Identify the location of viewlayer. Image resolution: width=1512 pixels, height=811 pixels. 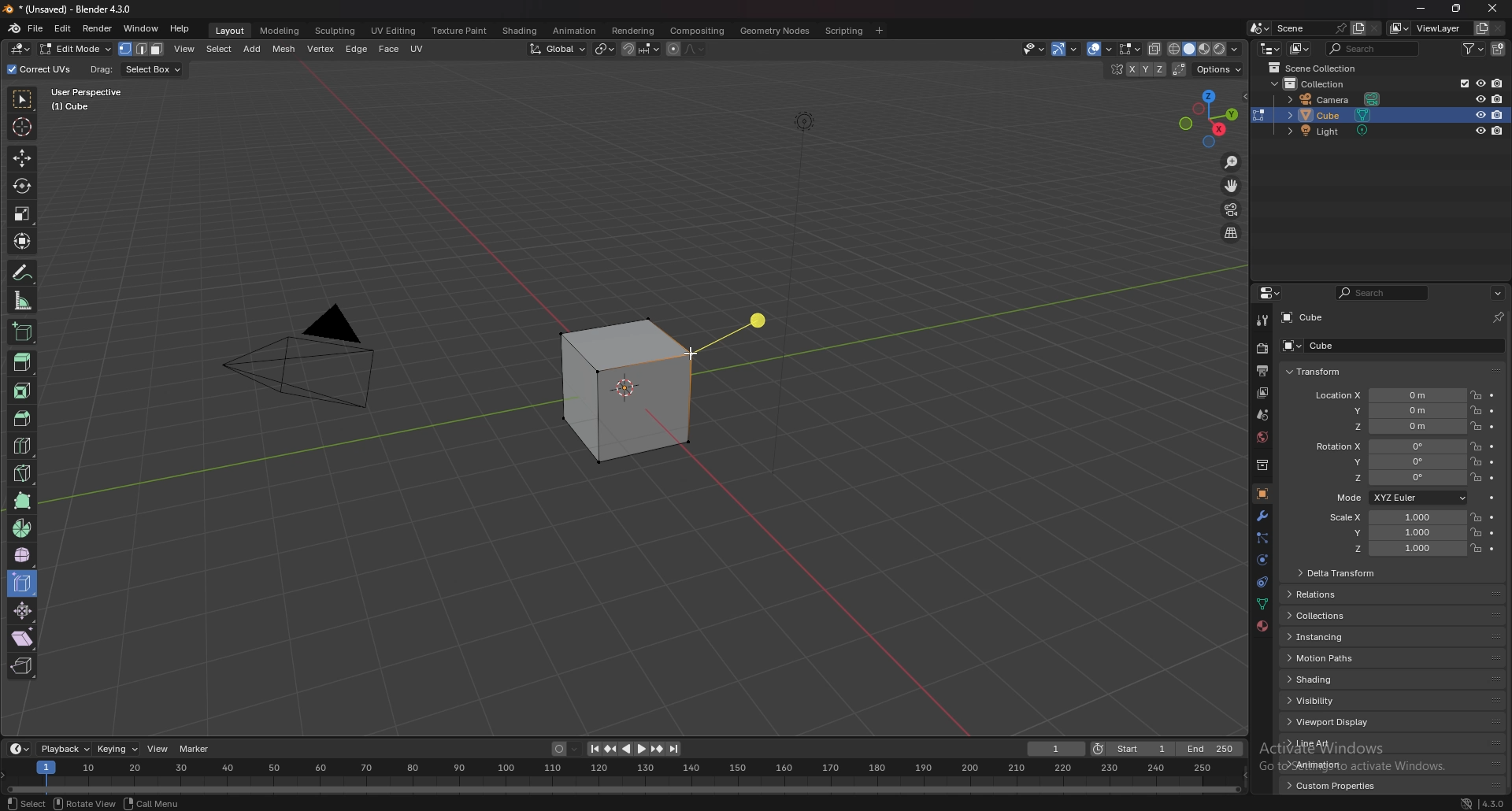
(1427, 28).